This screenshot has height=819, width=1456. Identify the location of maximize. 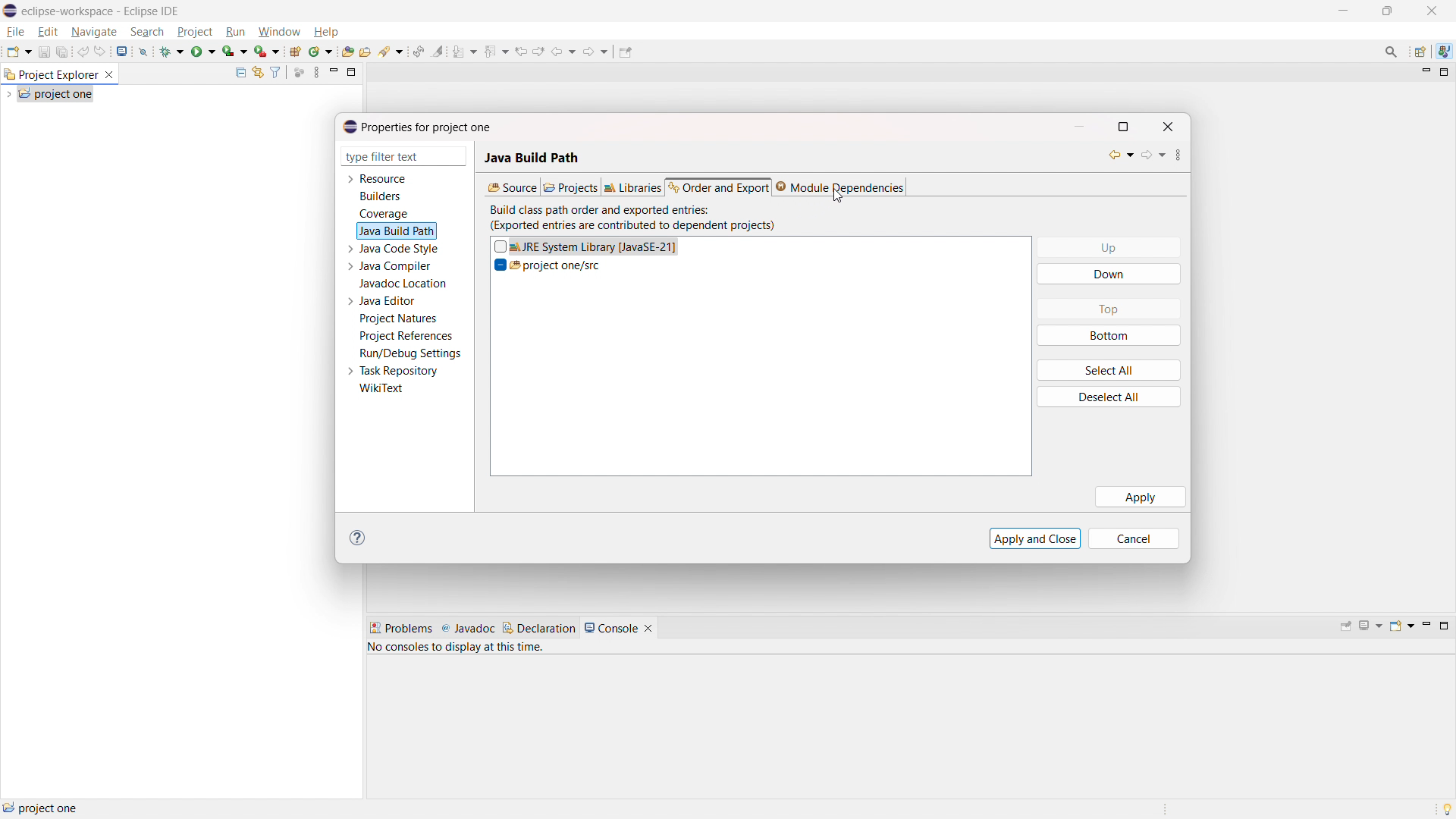
(352, 71).